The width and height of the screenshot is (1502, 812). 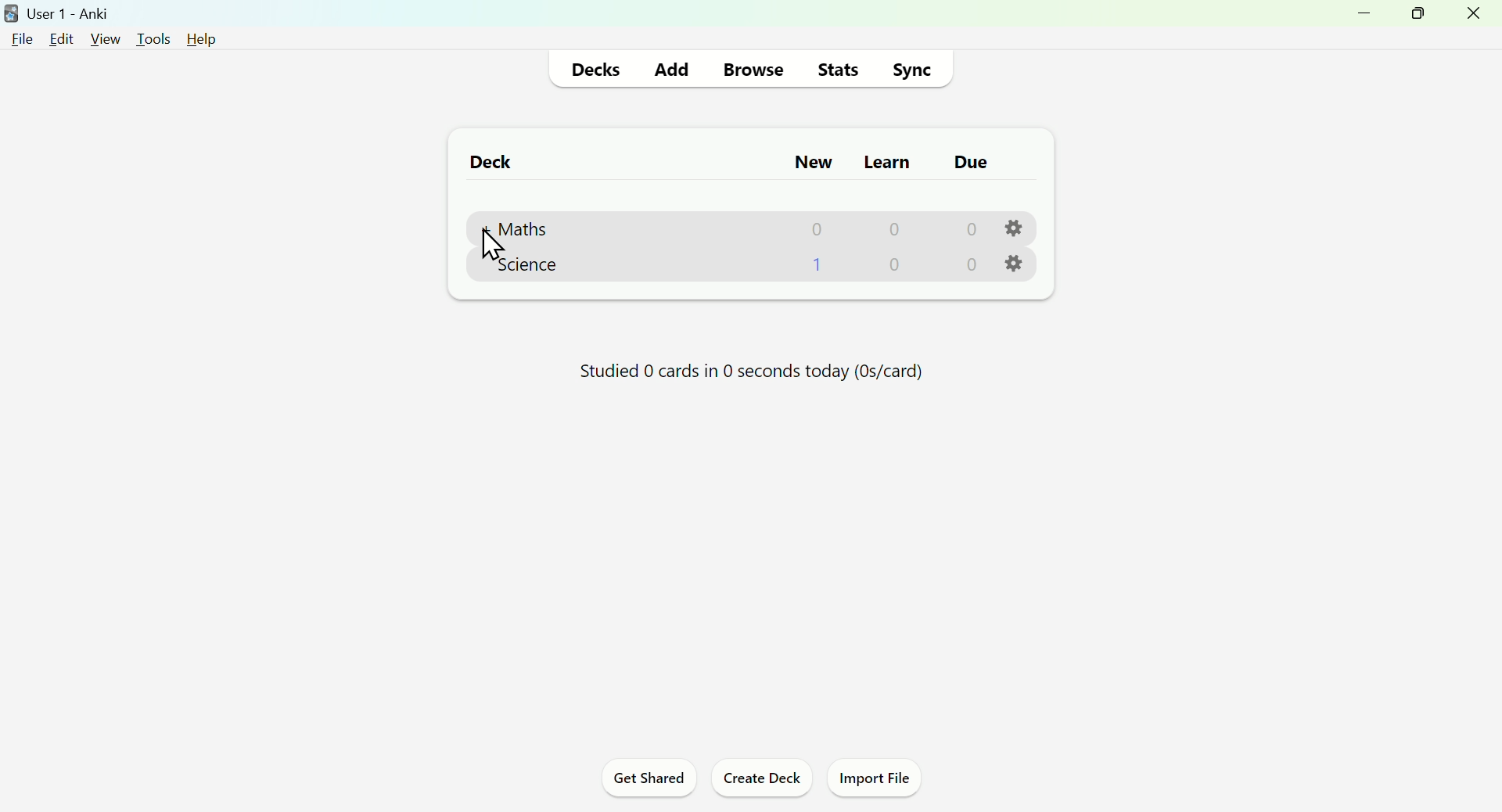 What do you see at coordinates (881, 781) in the screenshot?
I see `Import File` at bounding box center [881, 781].